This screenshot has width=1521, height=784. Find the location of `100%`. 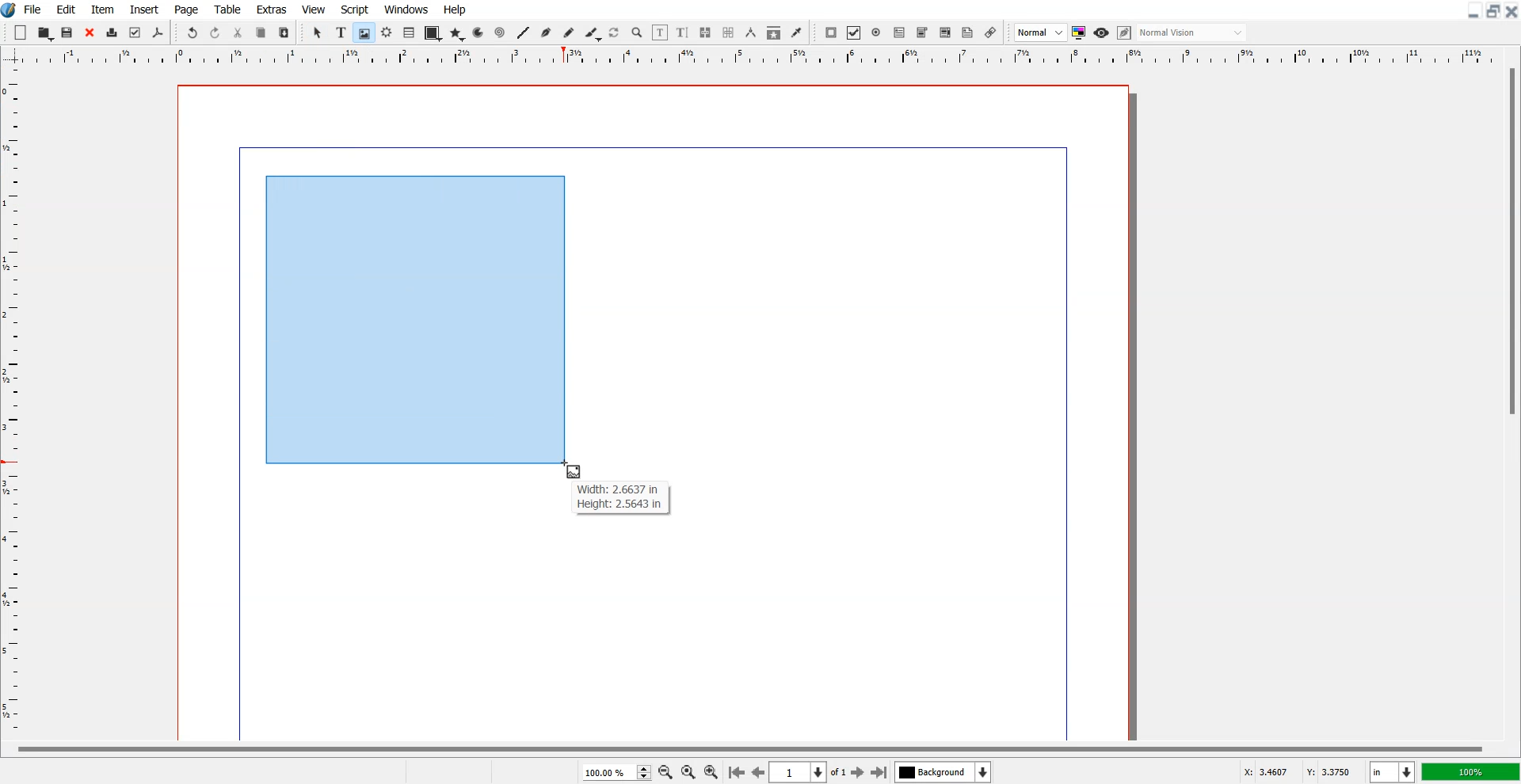

100% is located at coordinates (1470, 771).